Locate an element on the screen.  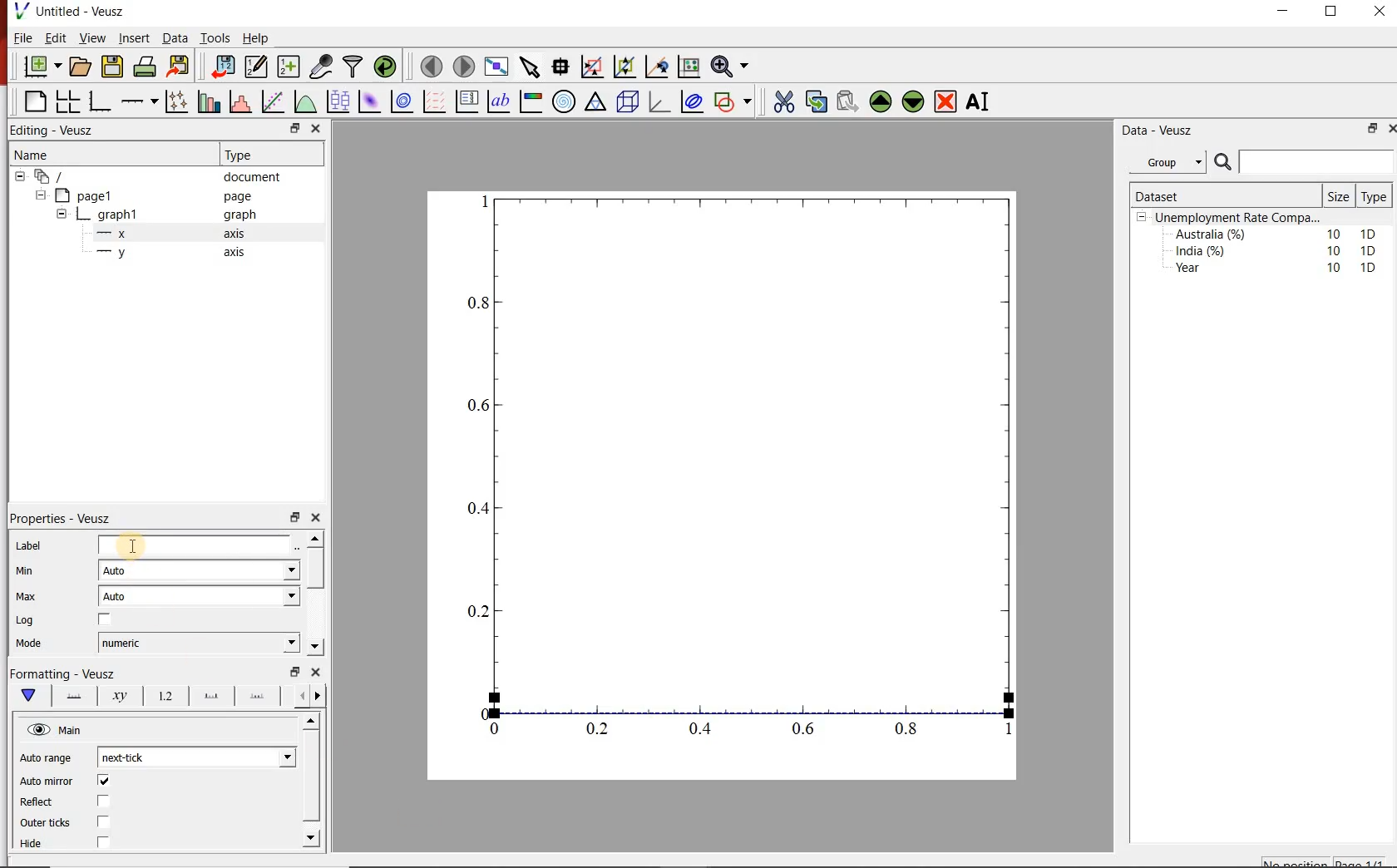
close is located at coordinates (1392, 127).